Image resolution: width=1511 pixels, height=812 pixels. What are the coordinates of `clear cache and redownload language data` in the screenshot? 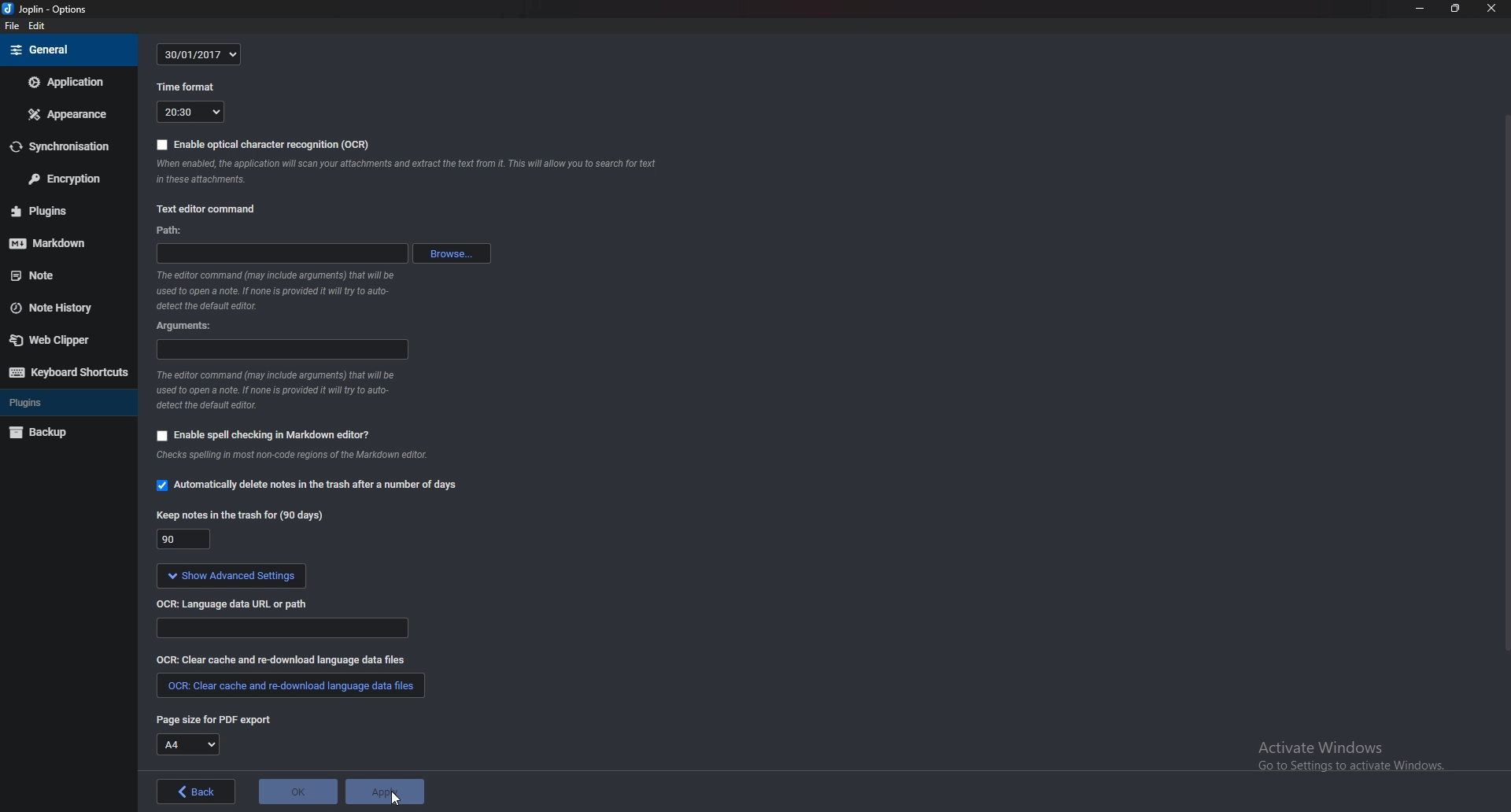 It's located at (290, 685).